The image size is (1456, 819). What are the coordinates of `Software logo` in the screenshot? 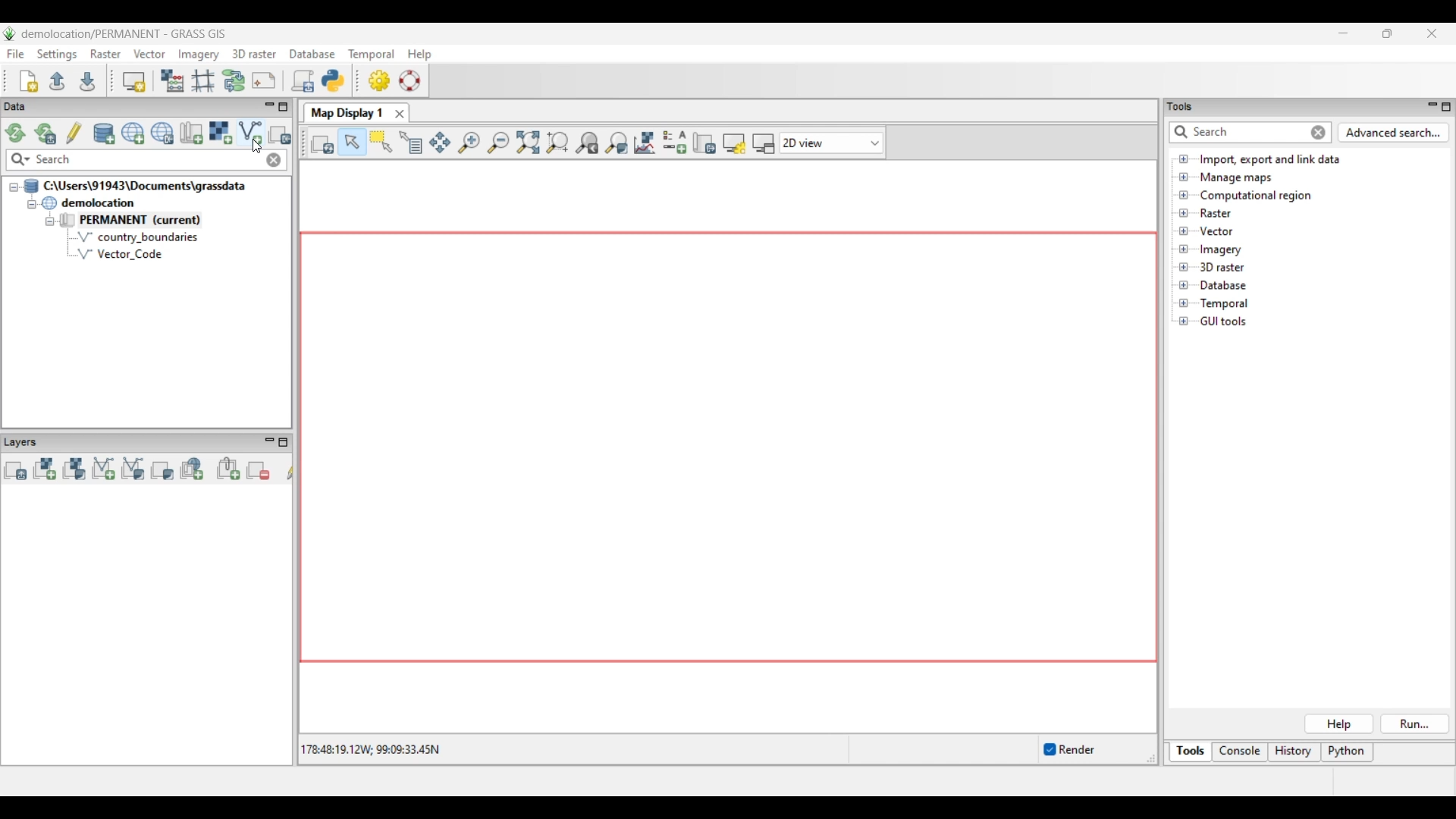 It's located at (10, 33).